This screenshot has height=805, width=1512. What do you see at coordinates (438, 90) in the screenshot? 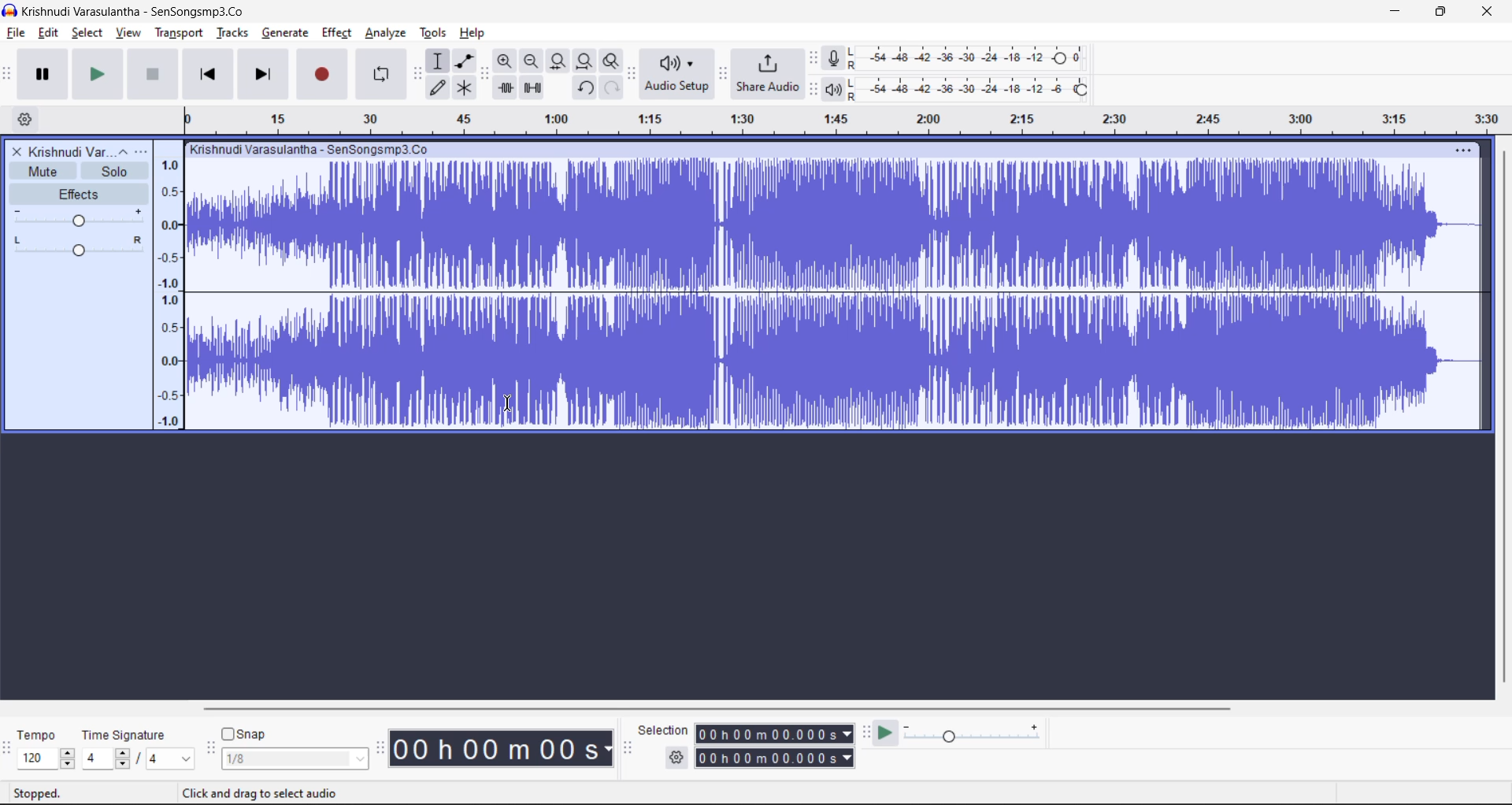
I see `draw tool` at bounding box center [438, 90].